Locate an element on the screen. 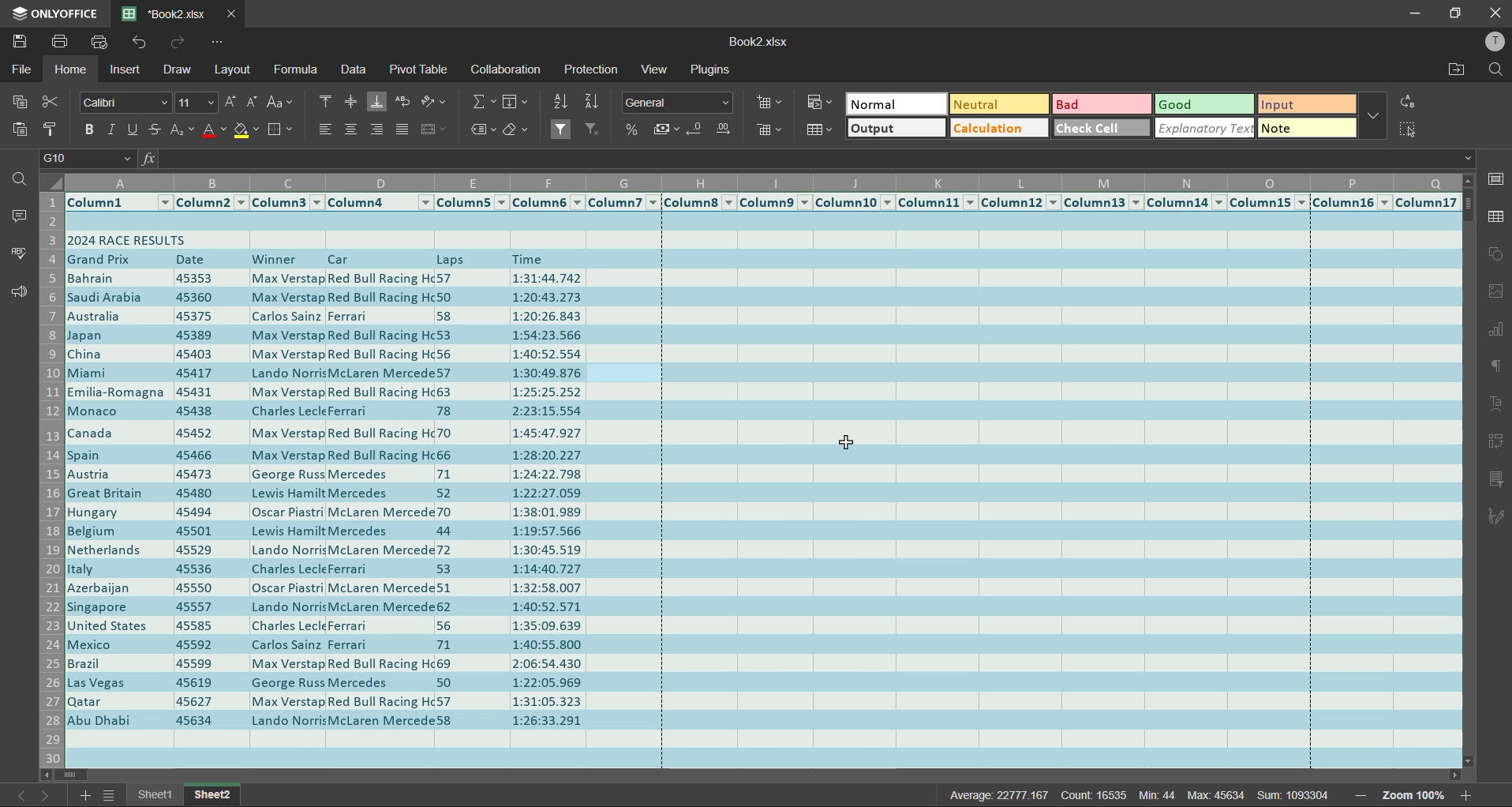 The image size is (1512, 807). plugins is located at coordinates (710, 72).